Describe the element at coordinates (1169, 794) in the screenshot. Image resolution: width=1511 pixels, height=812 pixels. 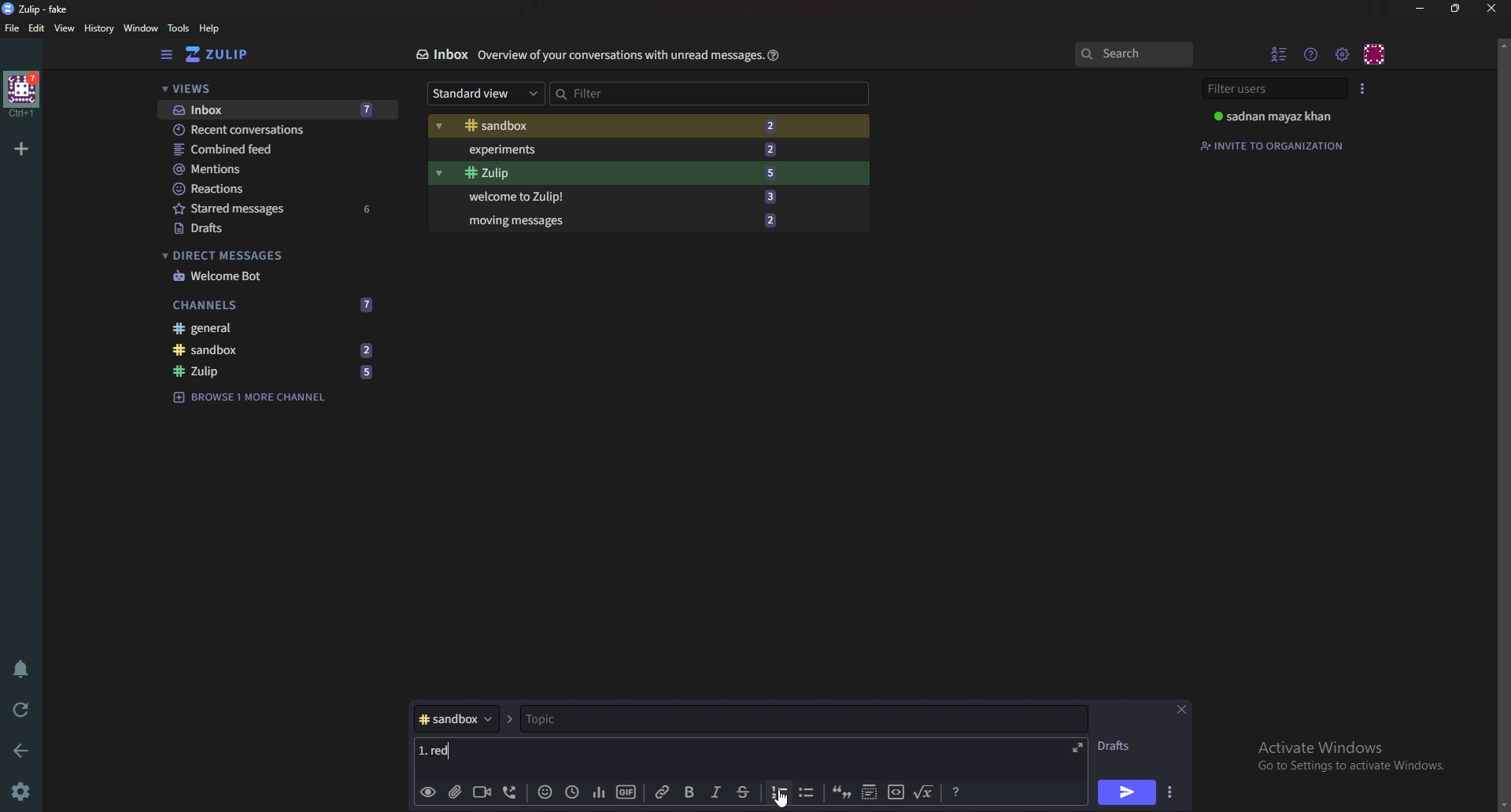
I see `Send options` at that location.